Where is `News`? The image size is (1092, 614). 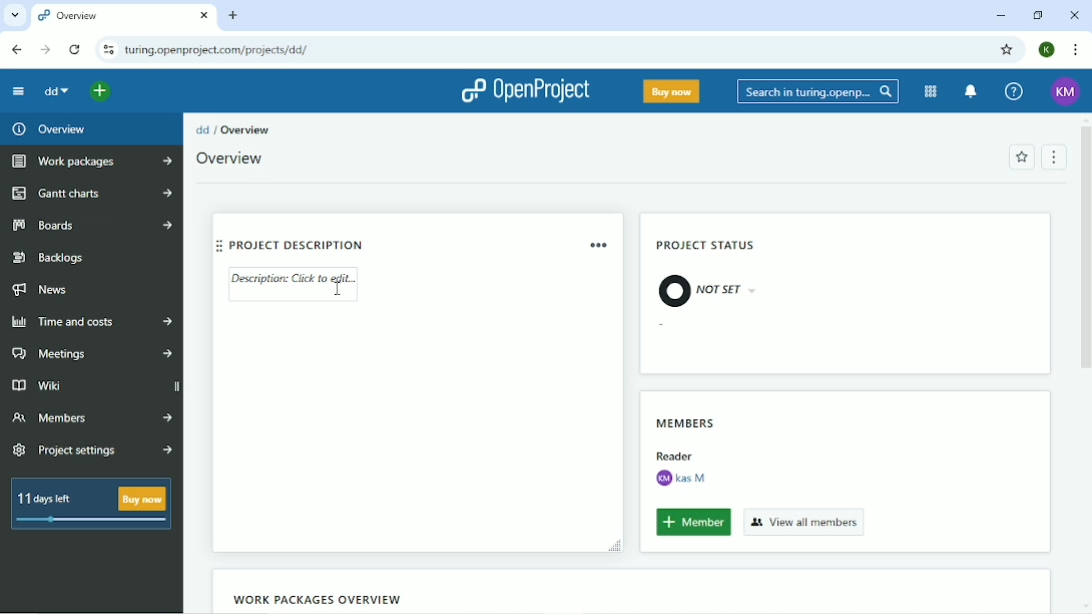
News is located at coordinates (44, 291).